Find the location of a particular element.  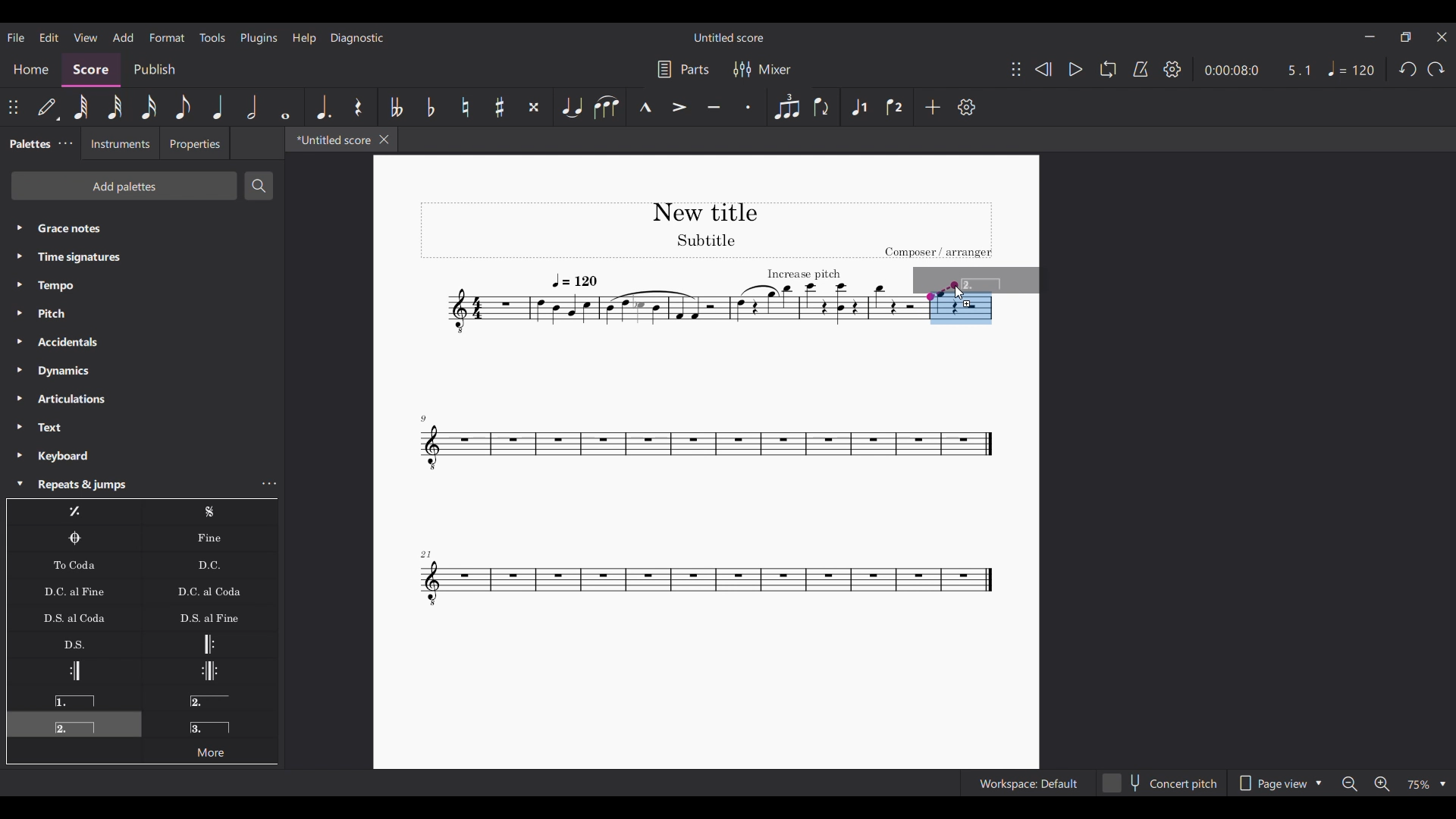

Accidentals is located at coordinates (142, 342).